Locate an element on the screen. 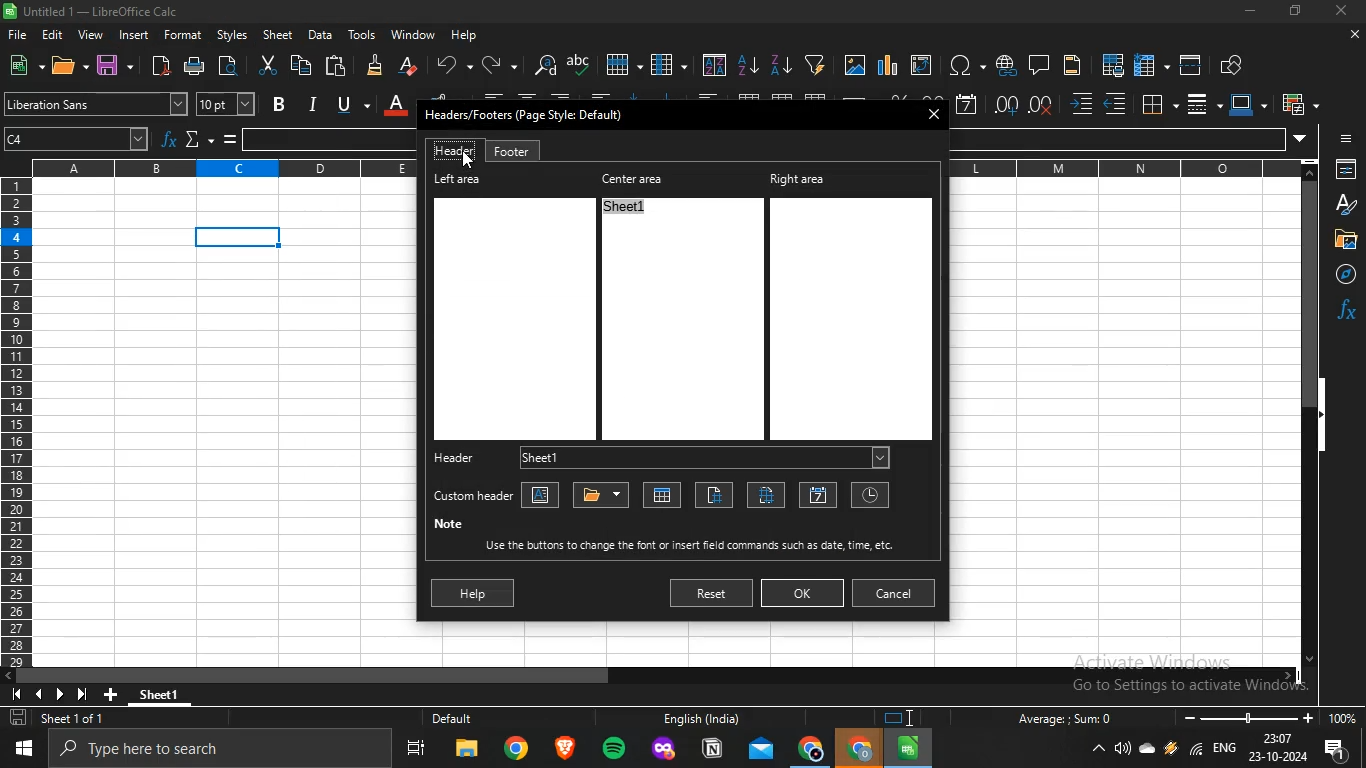  navigator is located at coordinates (1340, 274).